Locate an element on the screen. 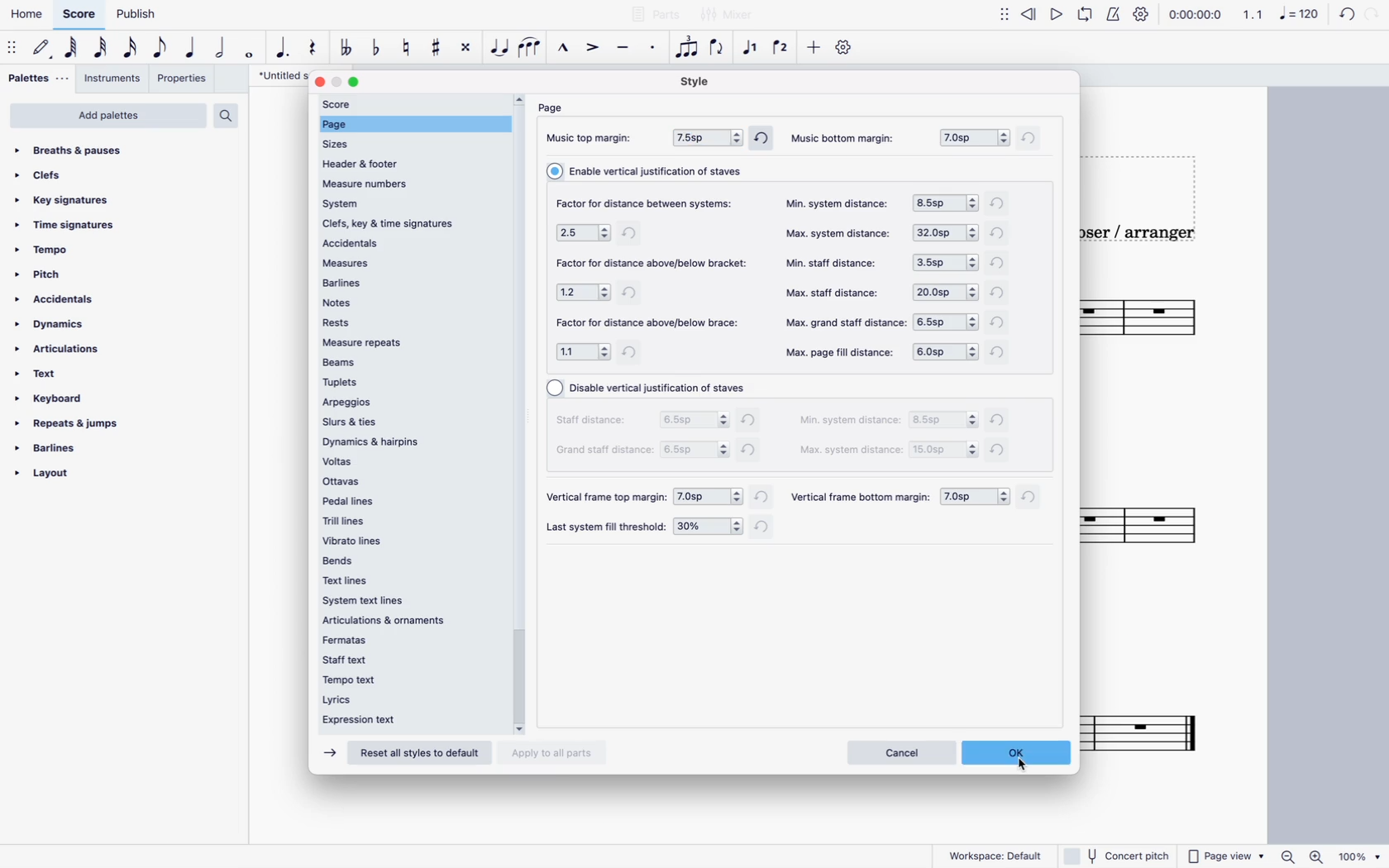  show/hide is located at coordinates (1003, 19).